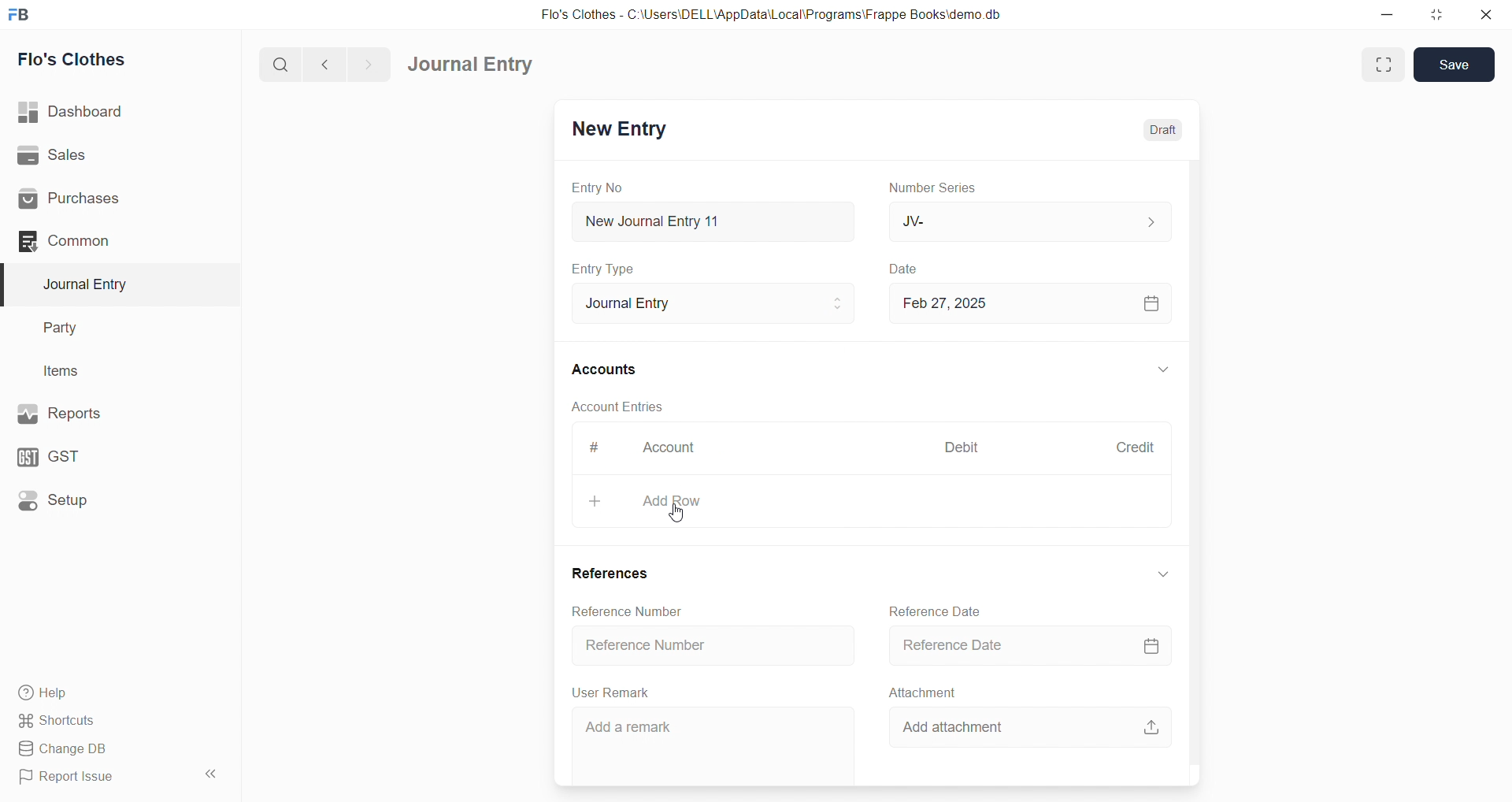  Describe the element at coordinates (713, 221) in the screenshot. I see `New Journal Entry 11` at that location.